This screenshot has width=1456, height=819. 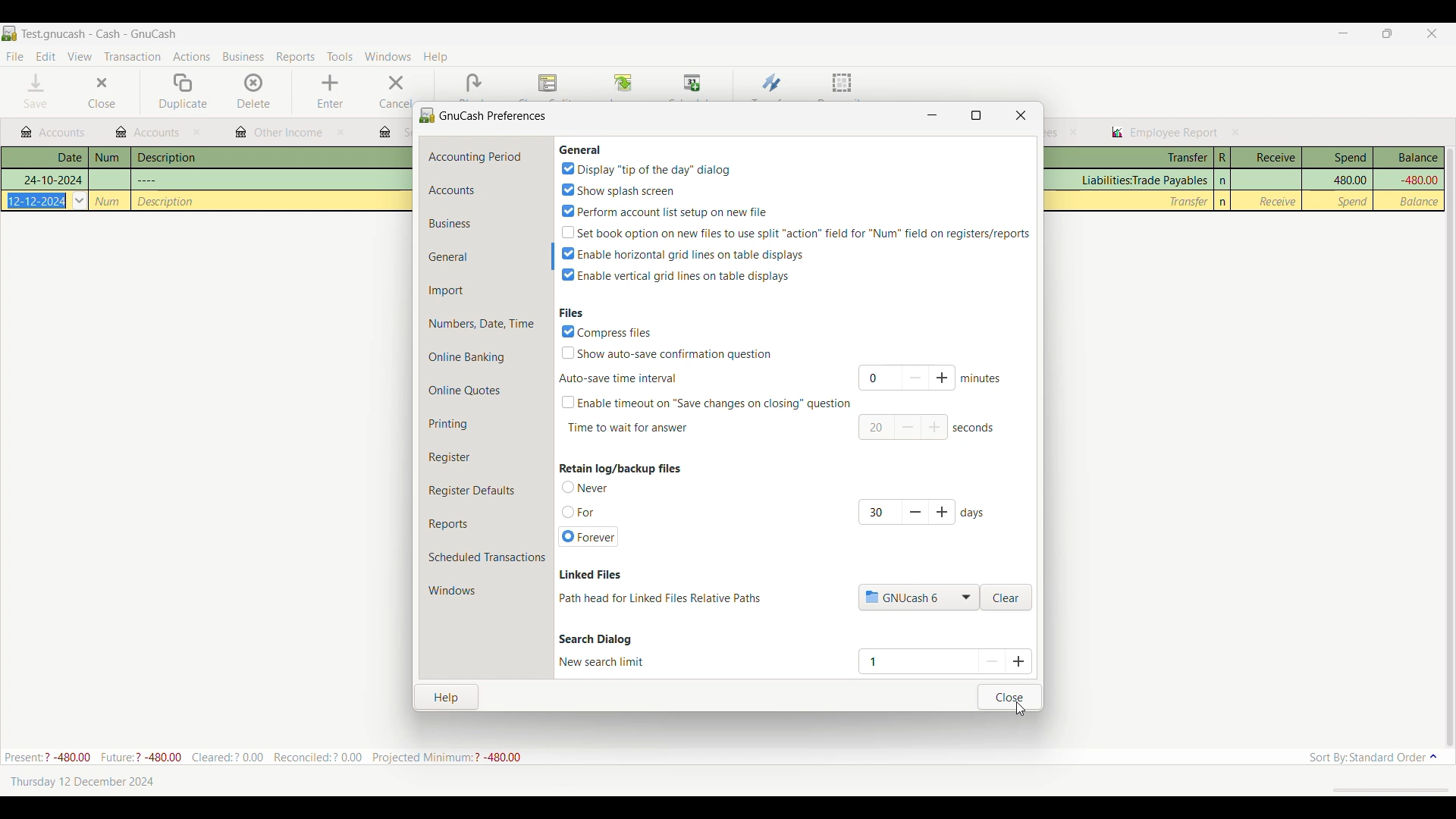 I want to click on Cursor clicking on close, so click(x=1021, y=708).